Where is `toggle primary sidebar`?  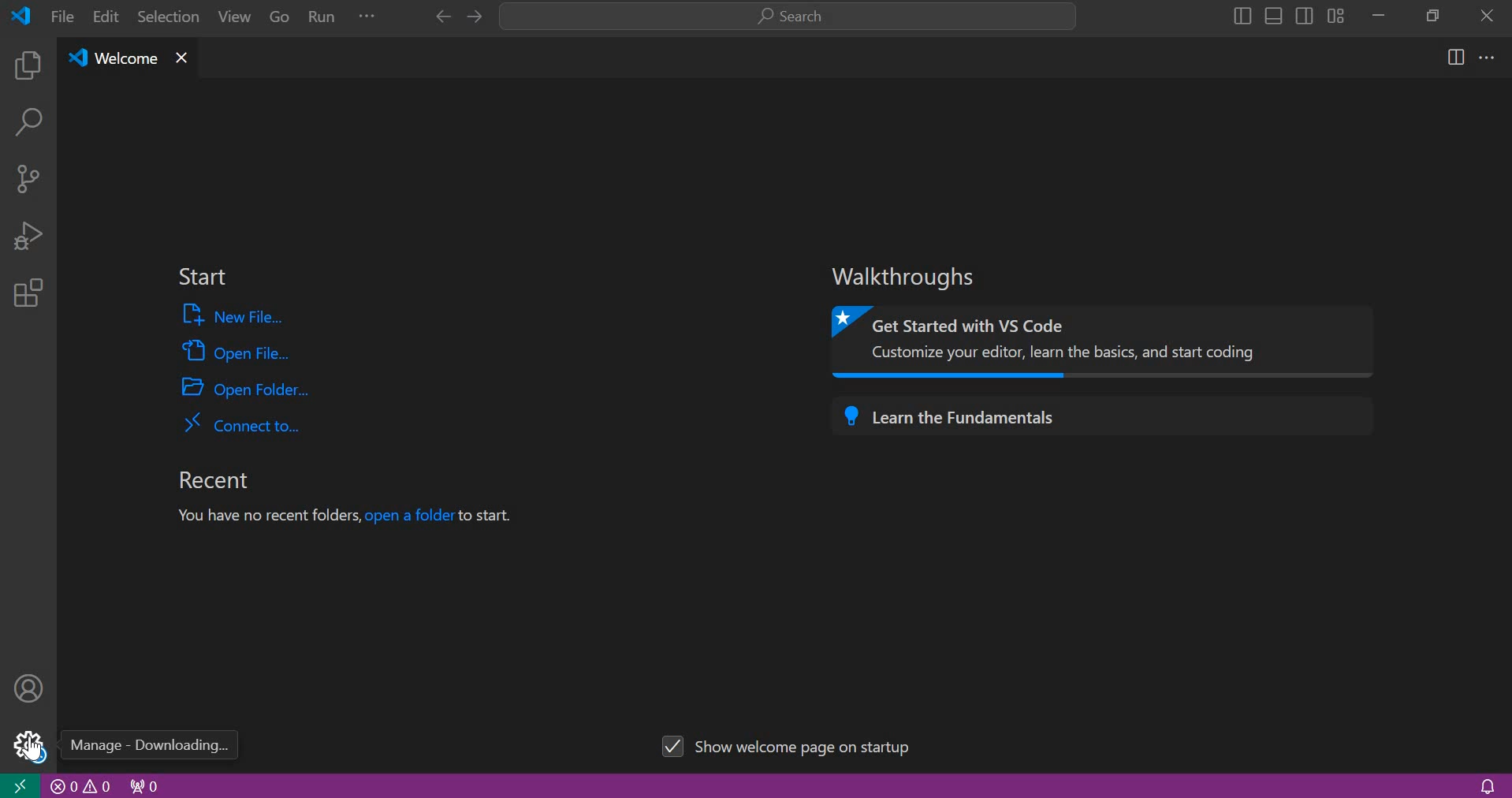
toggle primary sidebar is located at coordinates (1240, 16).